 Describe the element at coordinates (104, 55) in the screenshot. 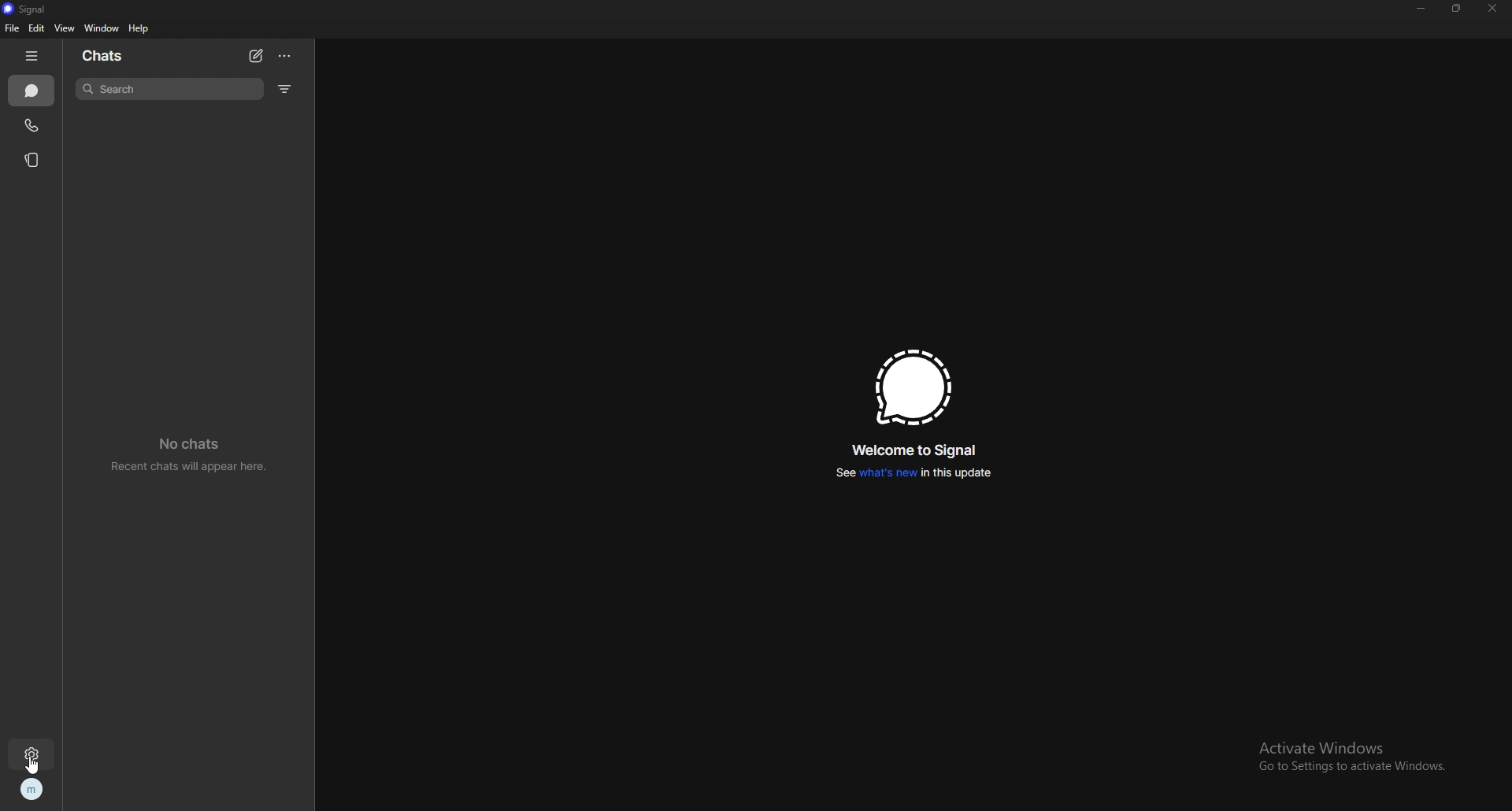

I see `chats` at that location.